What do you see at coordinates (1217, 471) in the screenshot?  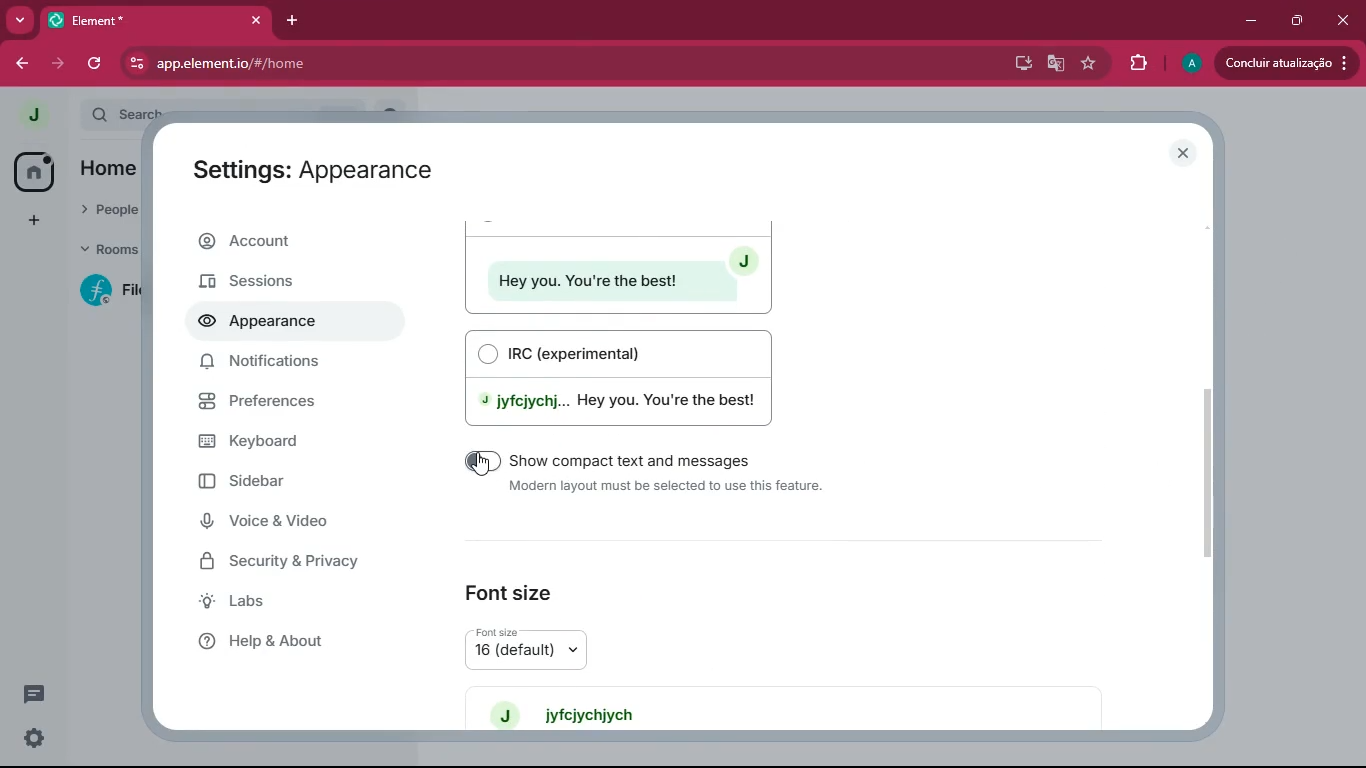 I see `scroll bar` at bounding box center [1217, 471].